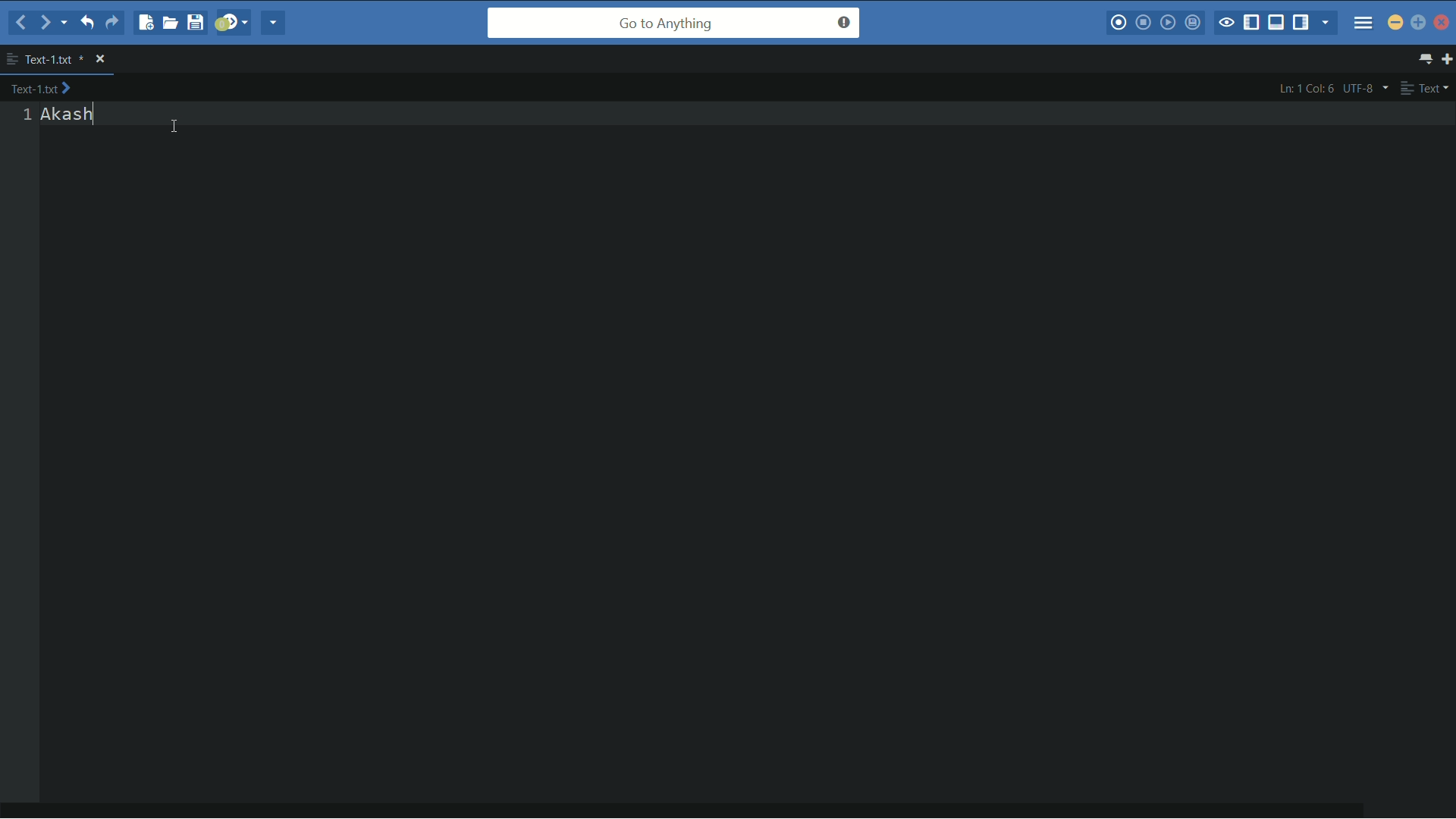  I want to click on save file, so click(195, 22).